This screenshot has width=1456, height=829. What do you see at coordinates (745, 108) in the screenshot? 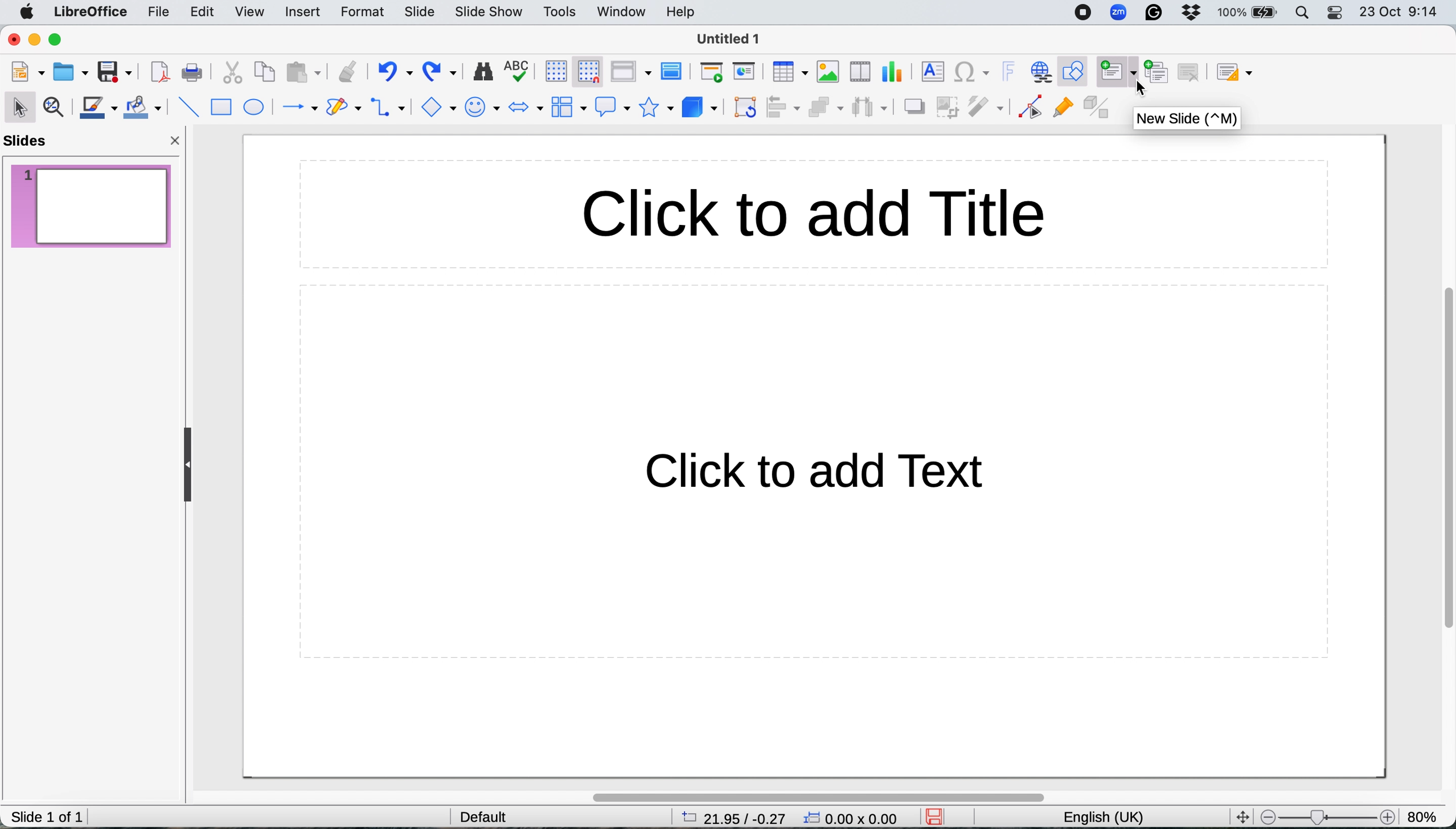
I see `transformations` at bounding box center [745, 108].